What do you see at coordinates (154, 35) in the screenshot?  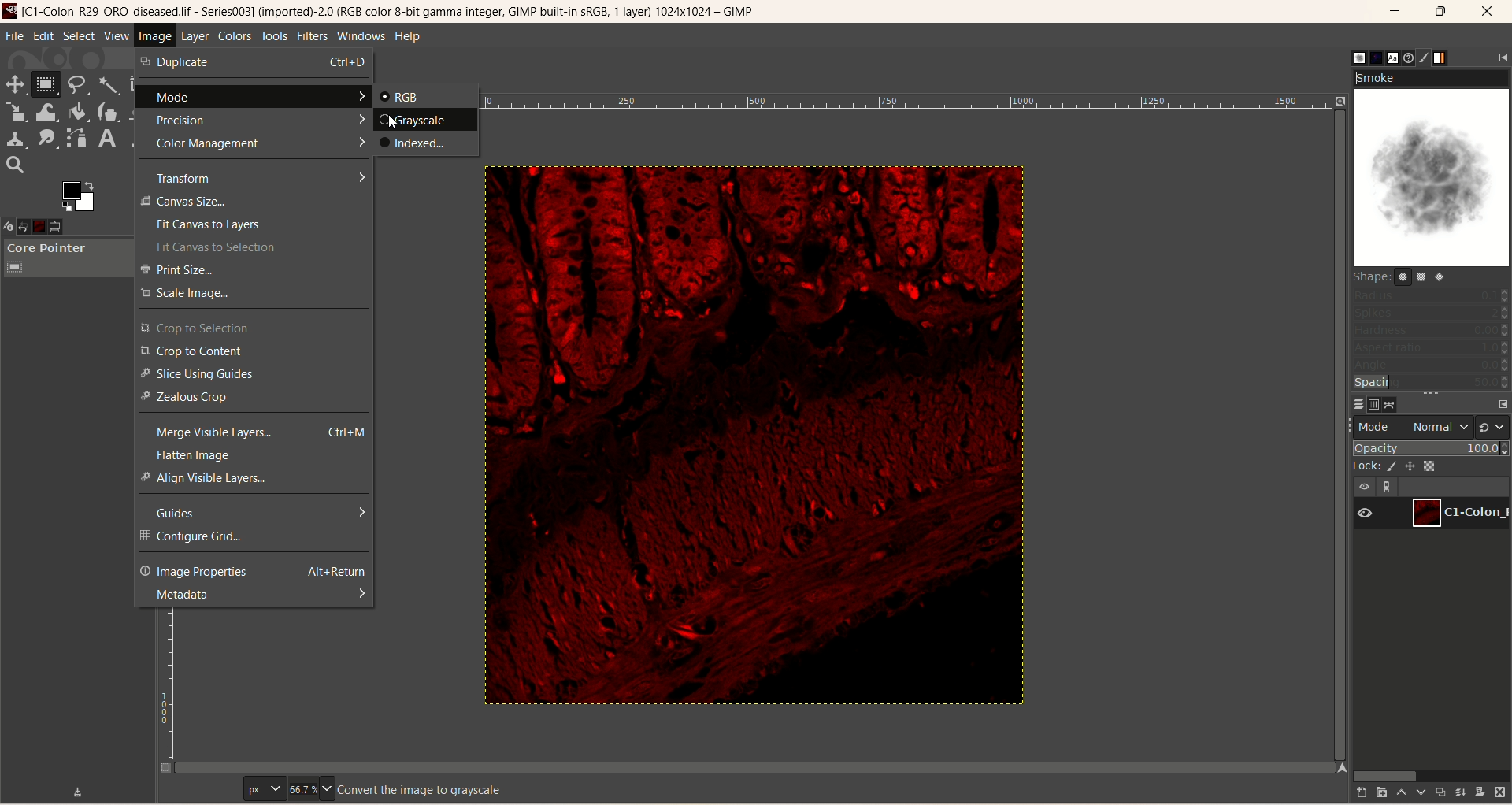 I see `image` at bounding box center [154, 35].